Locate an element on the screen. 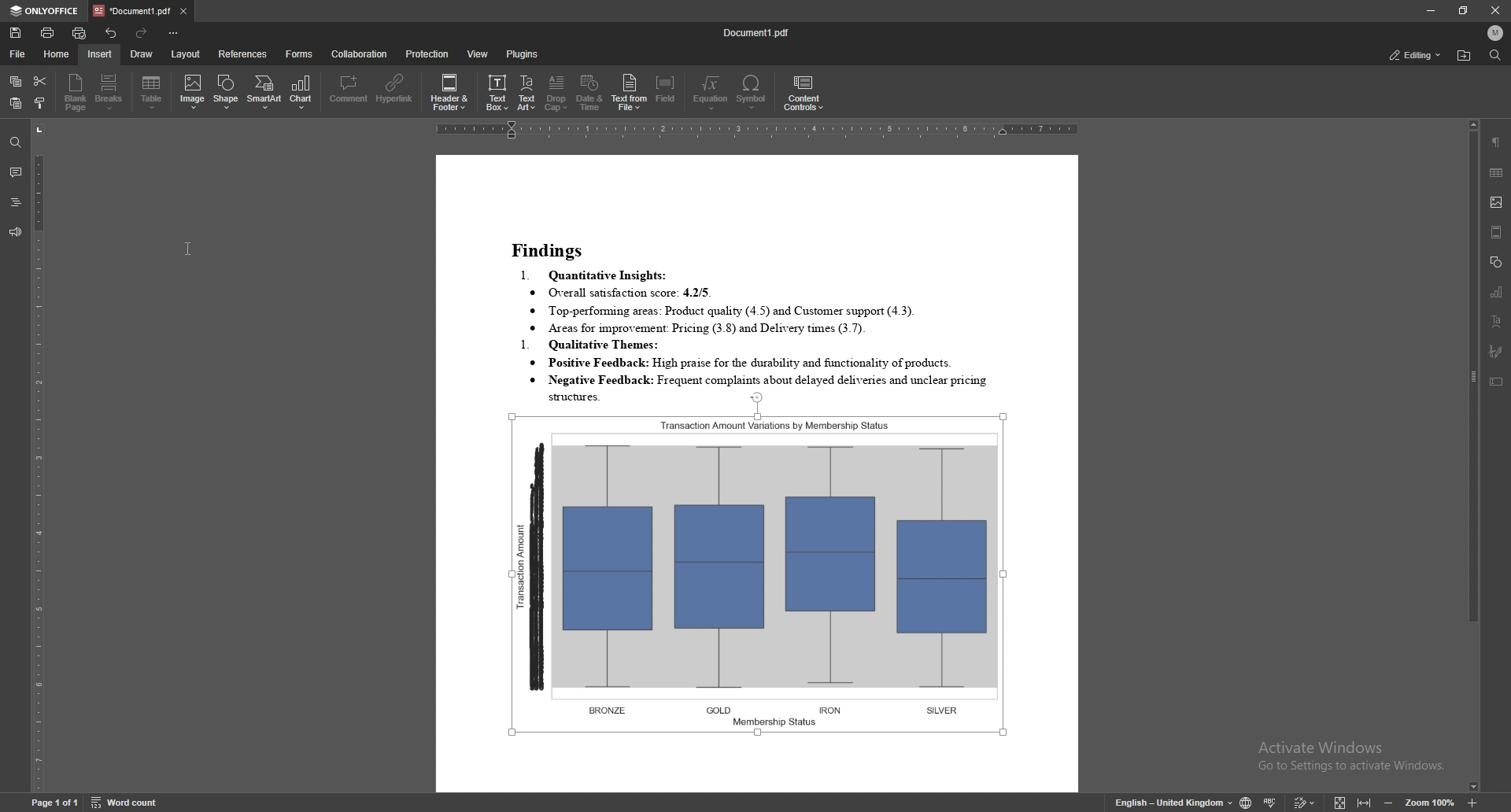  smart art is located at coordinates (264, 88).